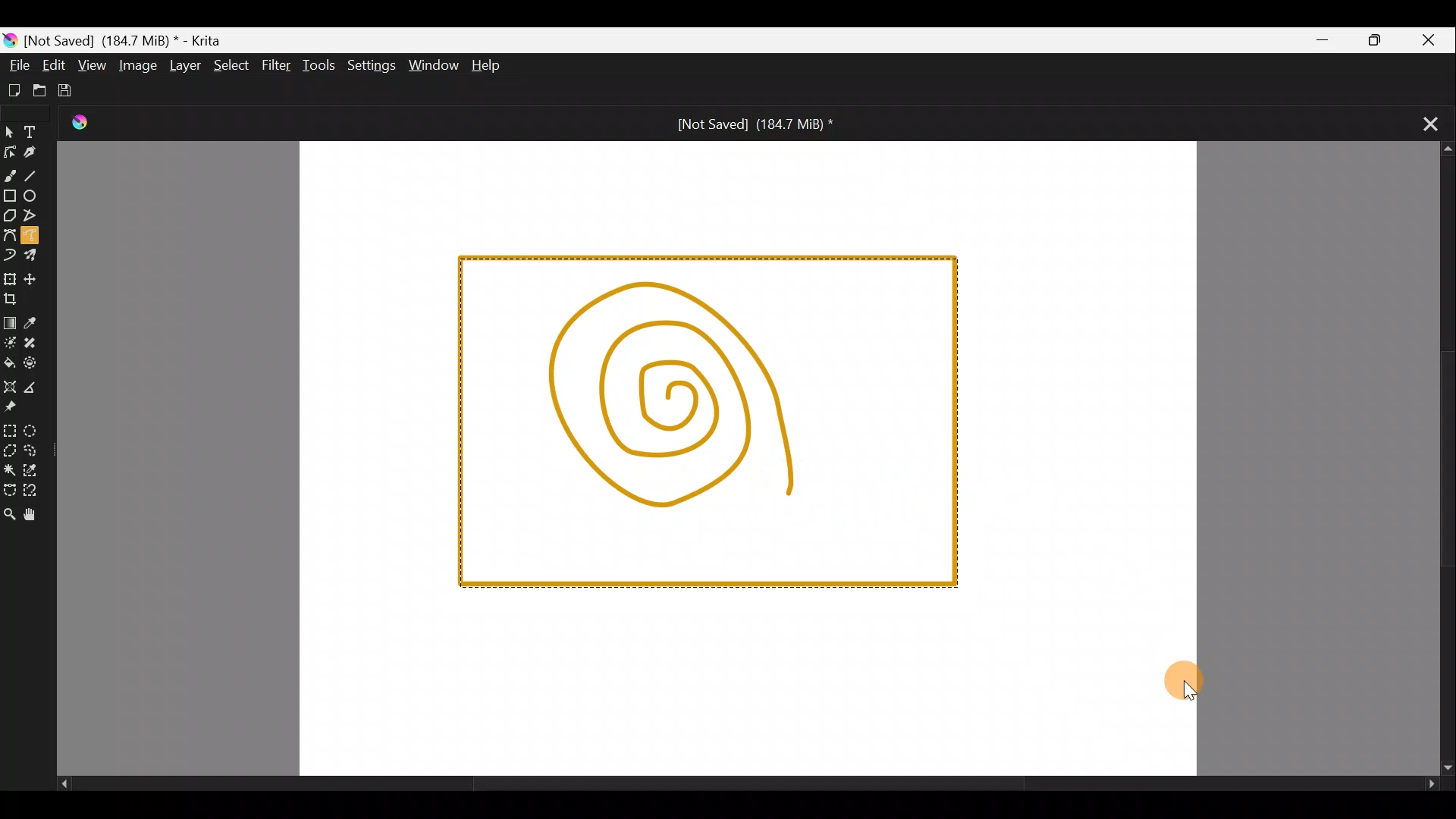  What do you see at coordinates (1420, 127) in the screenshot?
I see `Close tab` at bounding box center [1420, 127].